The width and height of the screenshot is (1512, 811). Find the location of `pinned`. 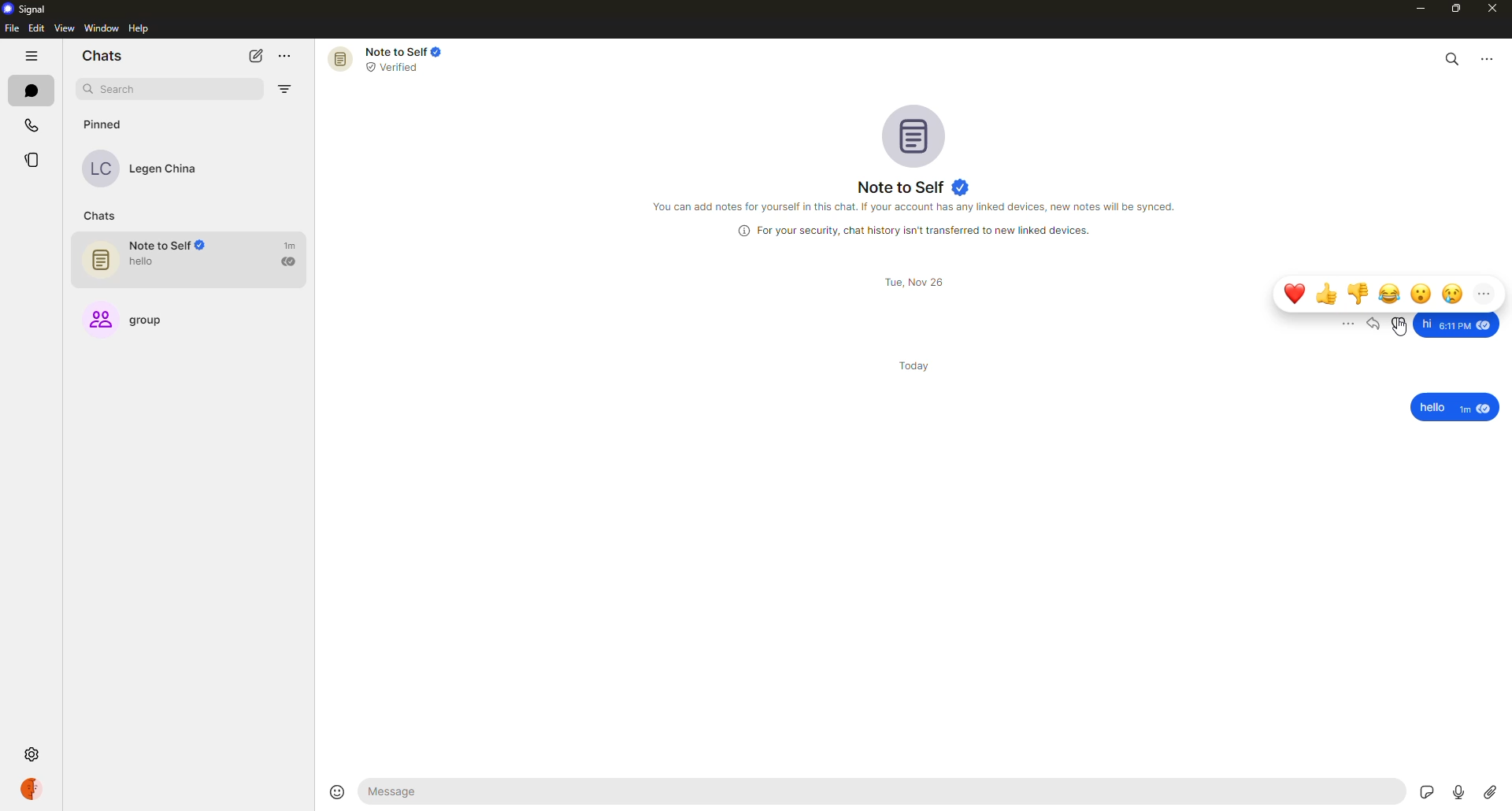

pinned is located at coordinates (102, 124).